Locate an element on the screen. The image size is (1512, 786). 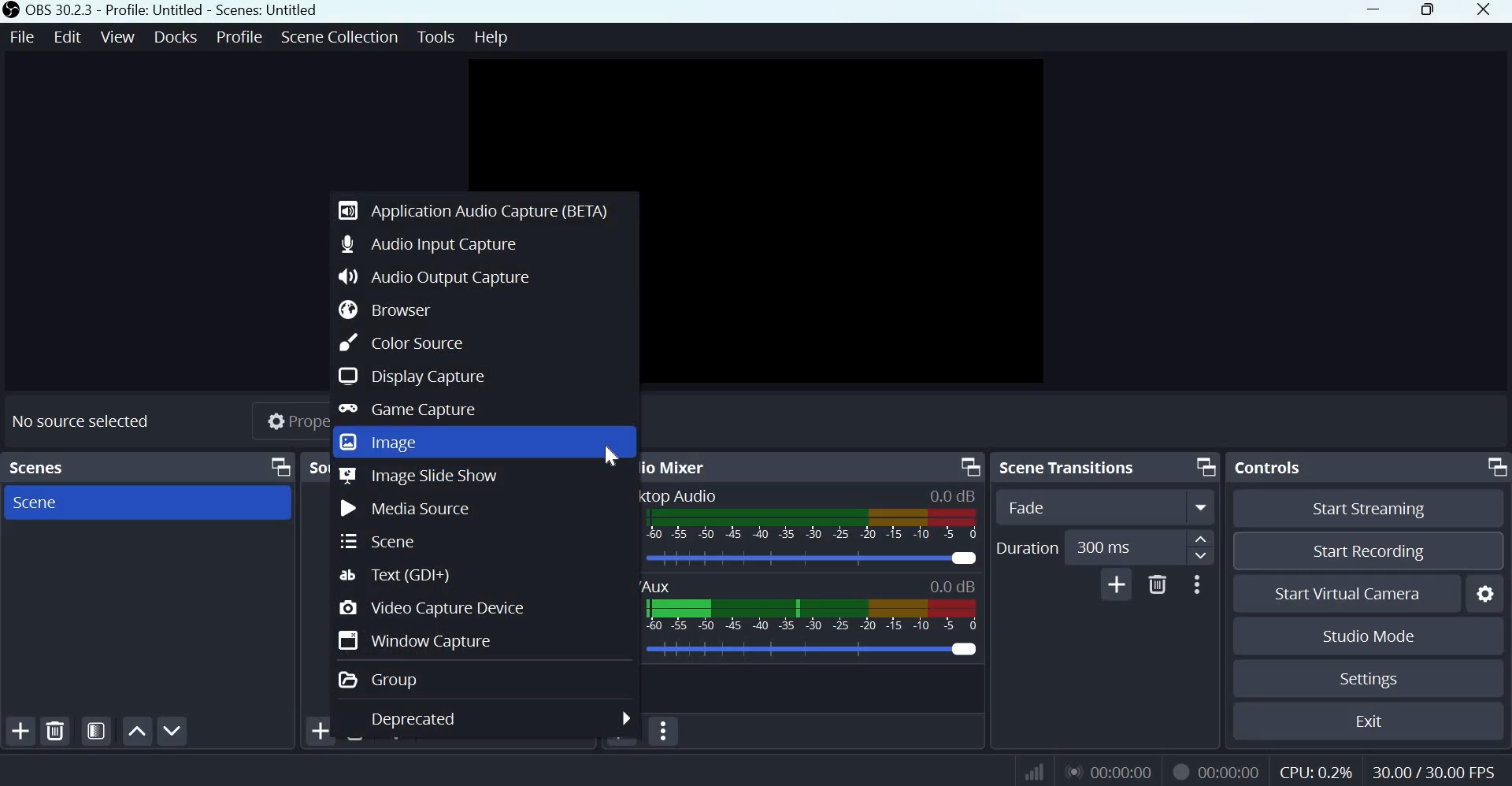
Scenes is located at coordinates (43, 469).